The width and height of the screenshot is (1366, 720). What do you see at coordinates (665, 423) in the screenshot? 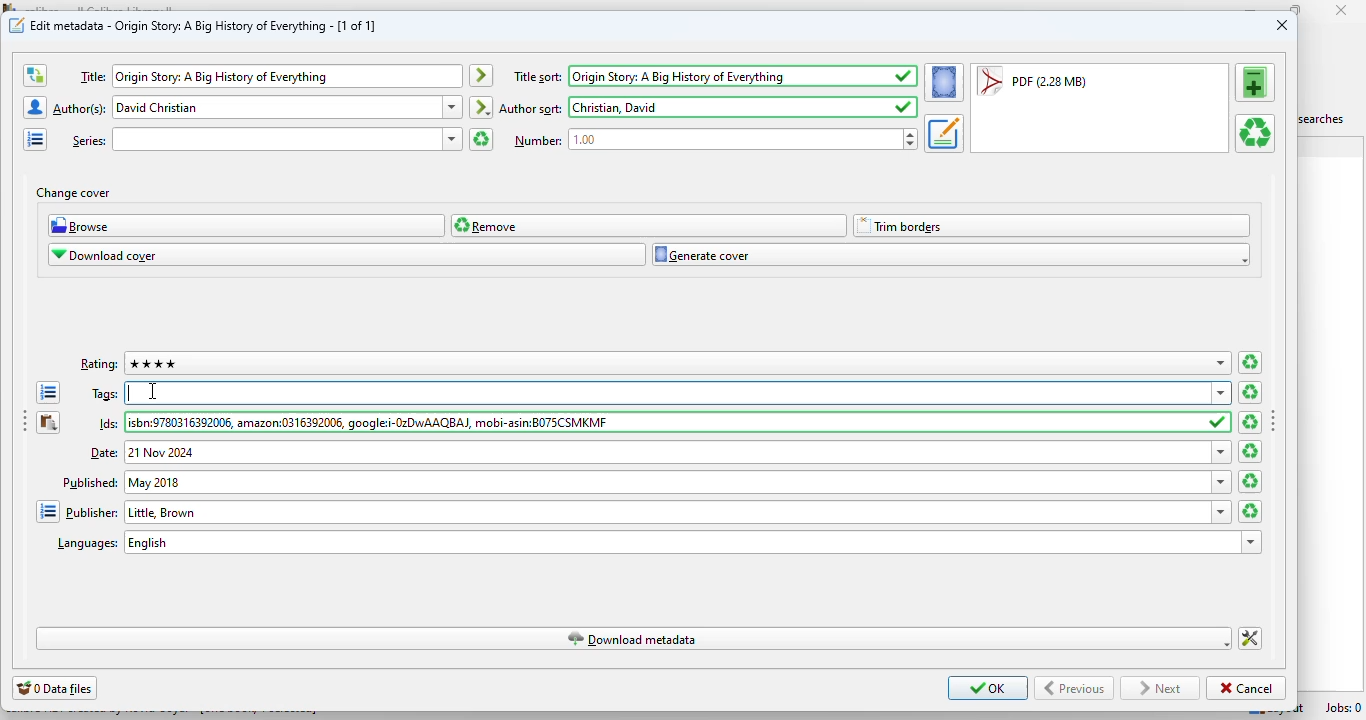
I see `Ids:` at bounding box center [665, 423].